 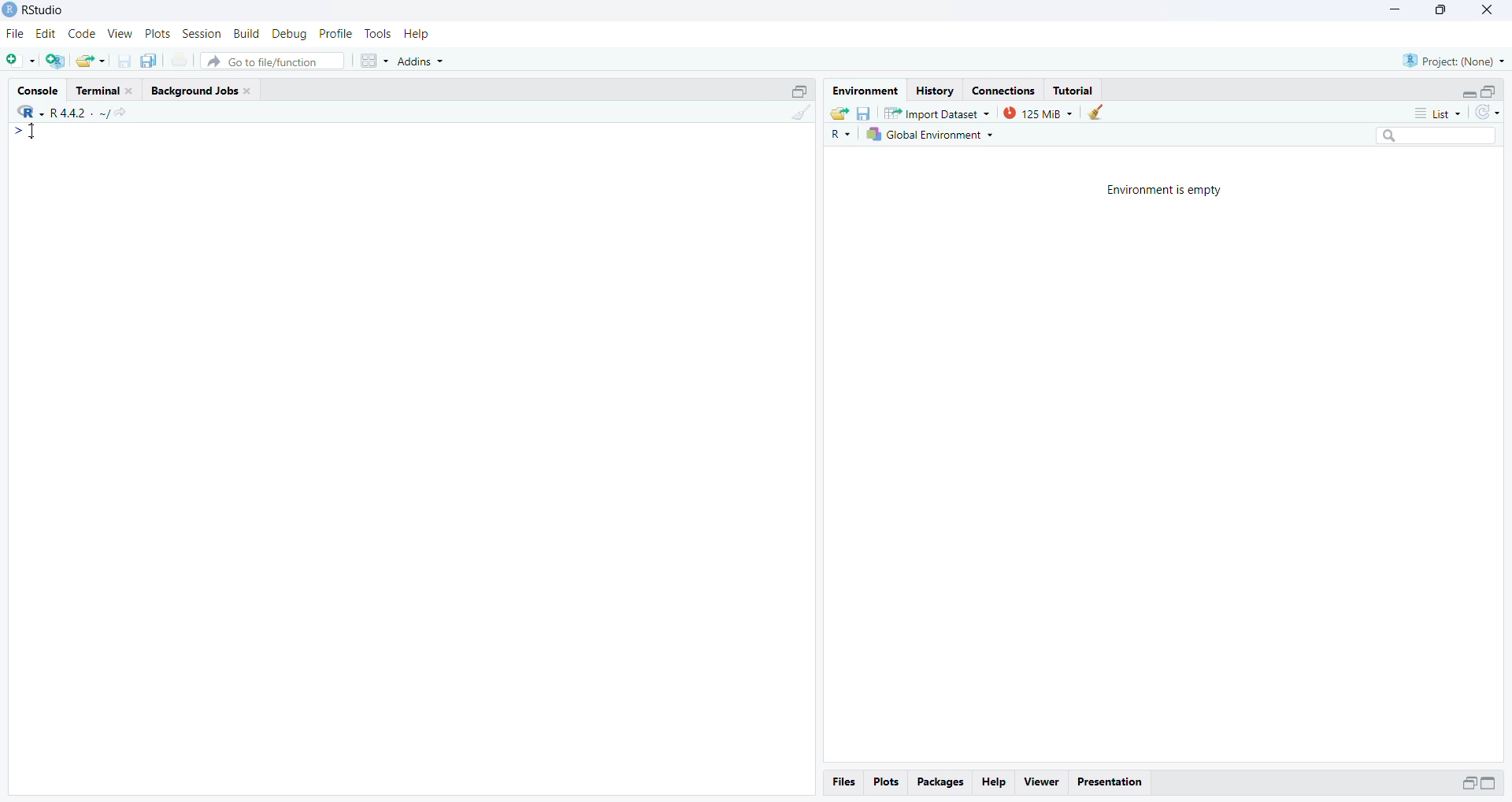 What do you see at coordinates (884, 782) in the screenshot?
I see `Plots` at bounding box center [884, 782].